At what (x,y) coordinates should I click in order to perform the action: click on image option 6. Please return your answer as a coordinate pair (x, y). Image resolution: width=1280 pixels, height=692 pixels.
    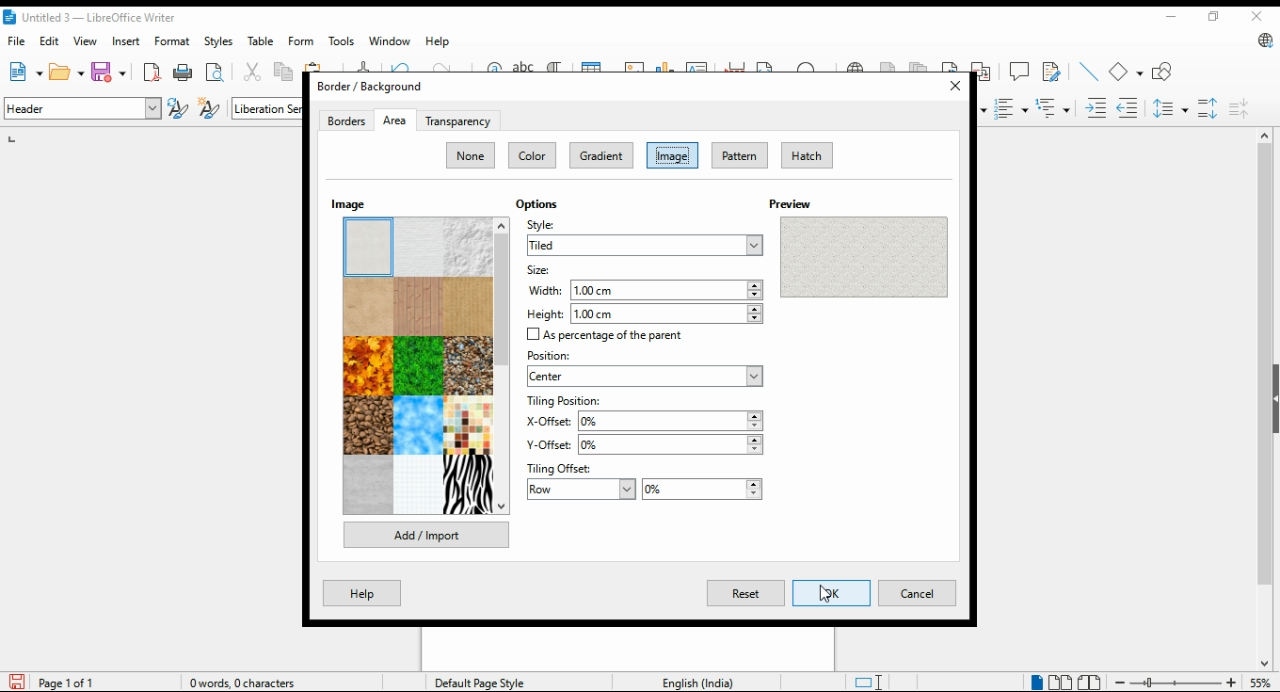
    Looking at the image, I should click on (466, 307).